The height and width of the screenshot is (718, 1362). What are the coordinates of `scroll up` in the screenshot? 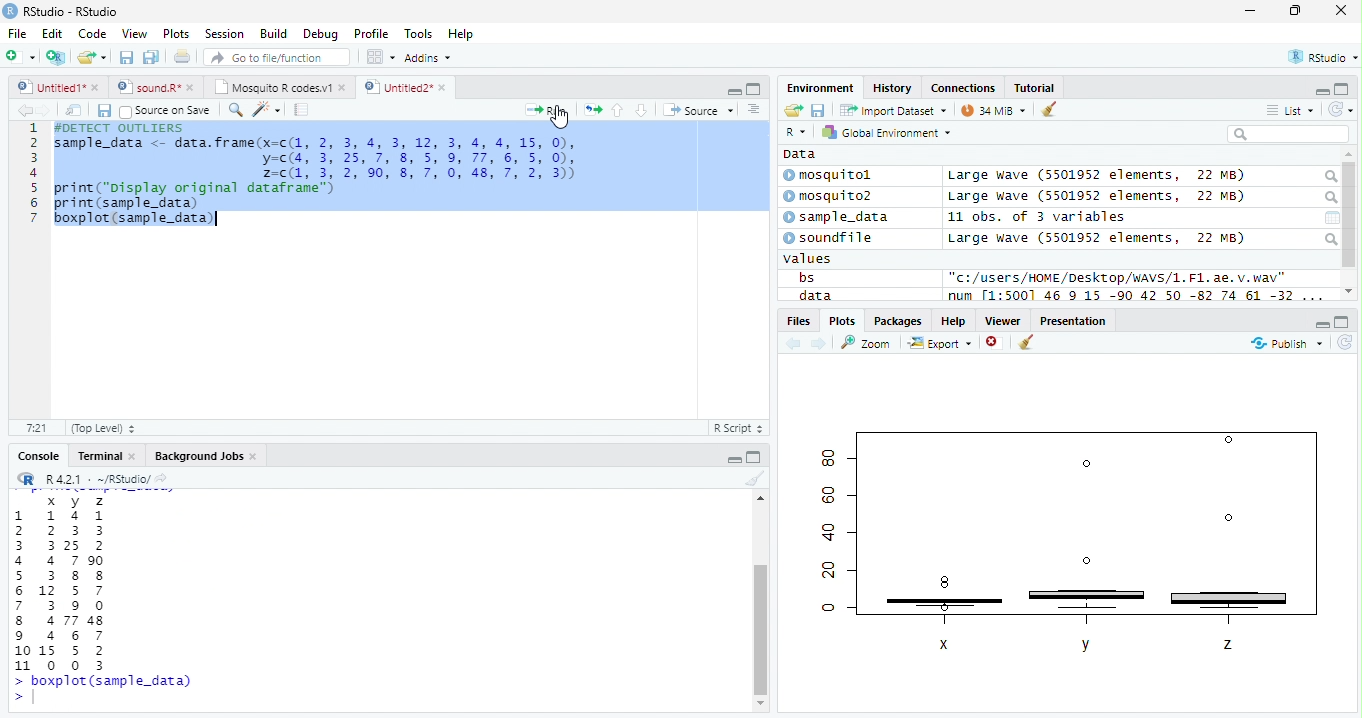 It's located at (1349, 155).